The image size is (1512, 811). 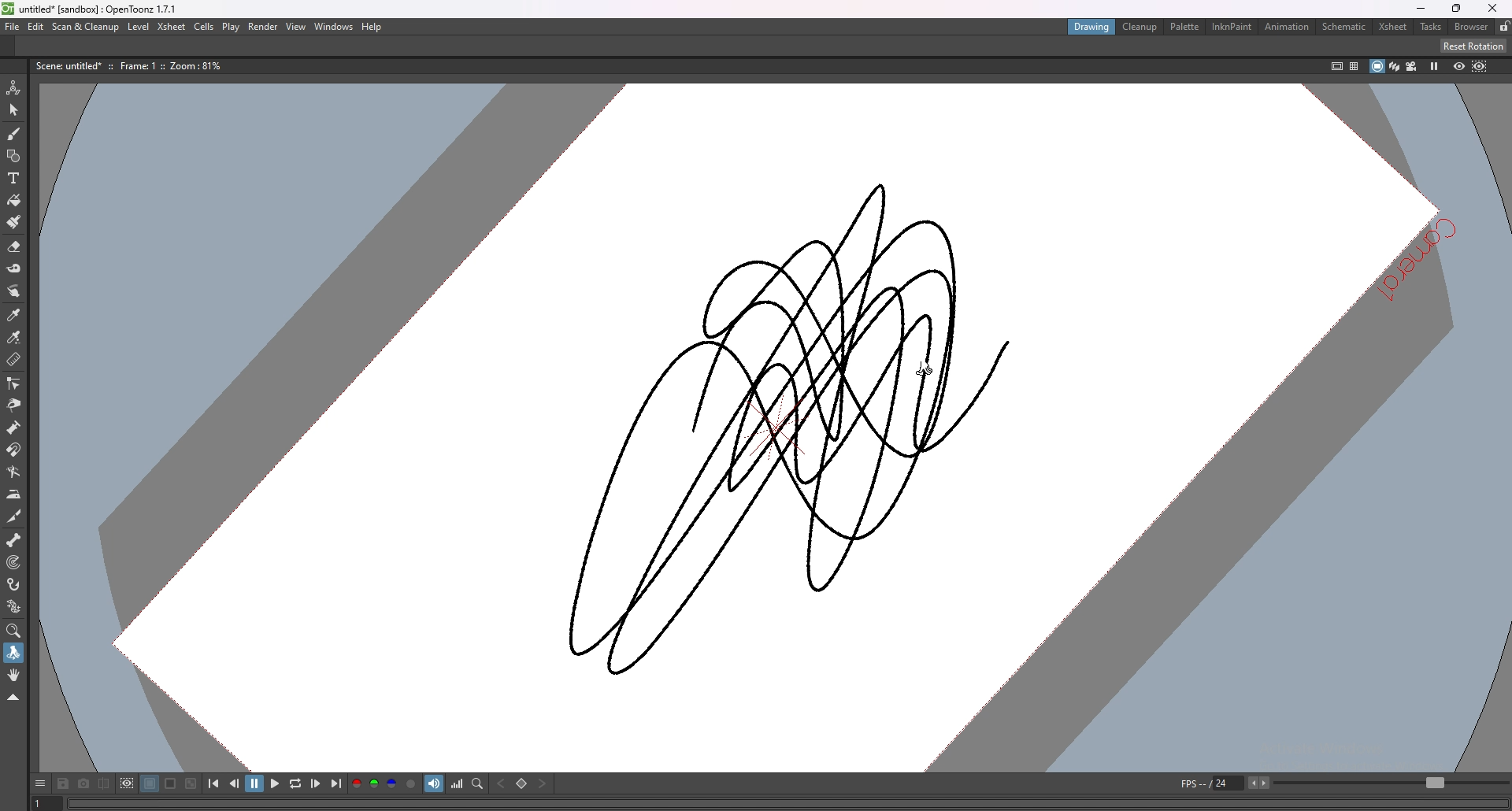 What do you see at coordinates (1459, 66) in the screenshot?
I see `preview` at bounding box center [1459, 66].